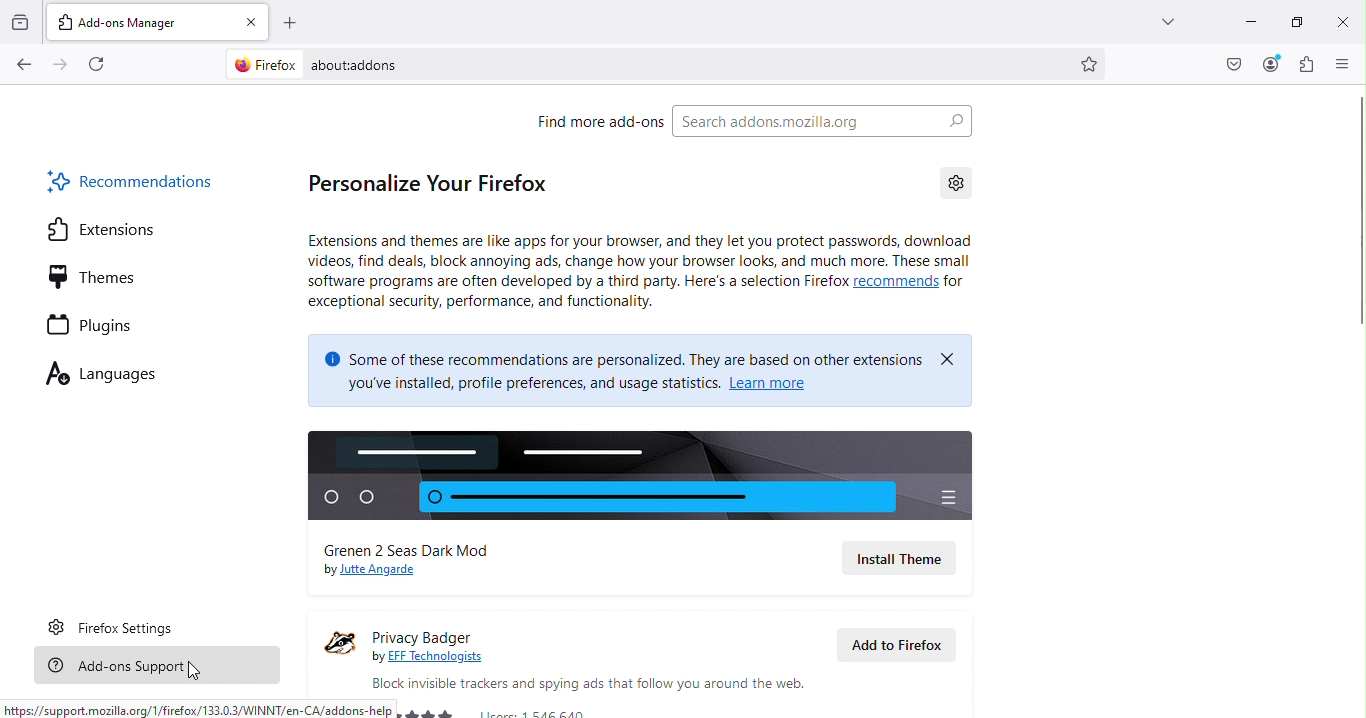 Image resolution: width=1366 pixels, height=718 pixels. What do you see at coordinates (260, 64) in the screenshot?
I see `firefox logo` at bounding box center [260, 64].